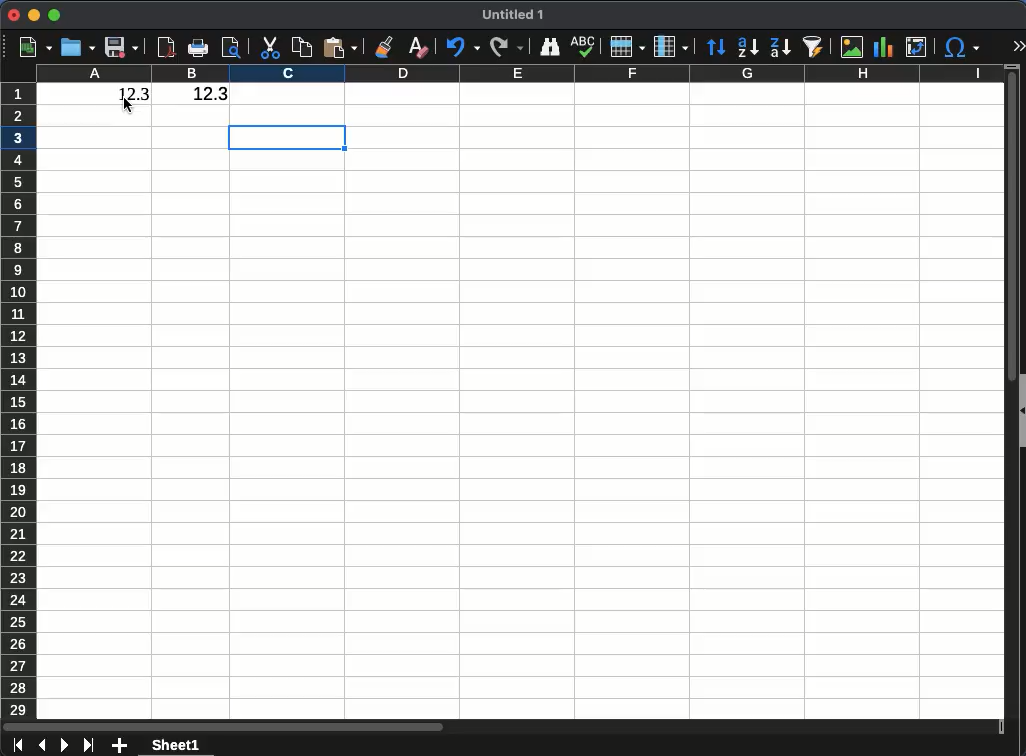 The width and height of the screenshot is (1026, 756). Describe the element at coordinates (119, 746) in the screenshot. I see `add` at that location.